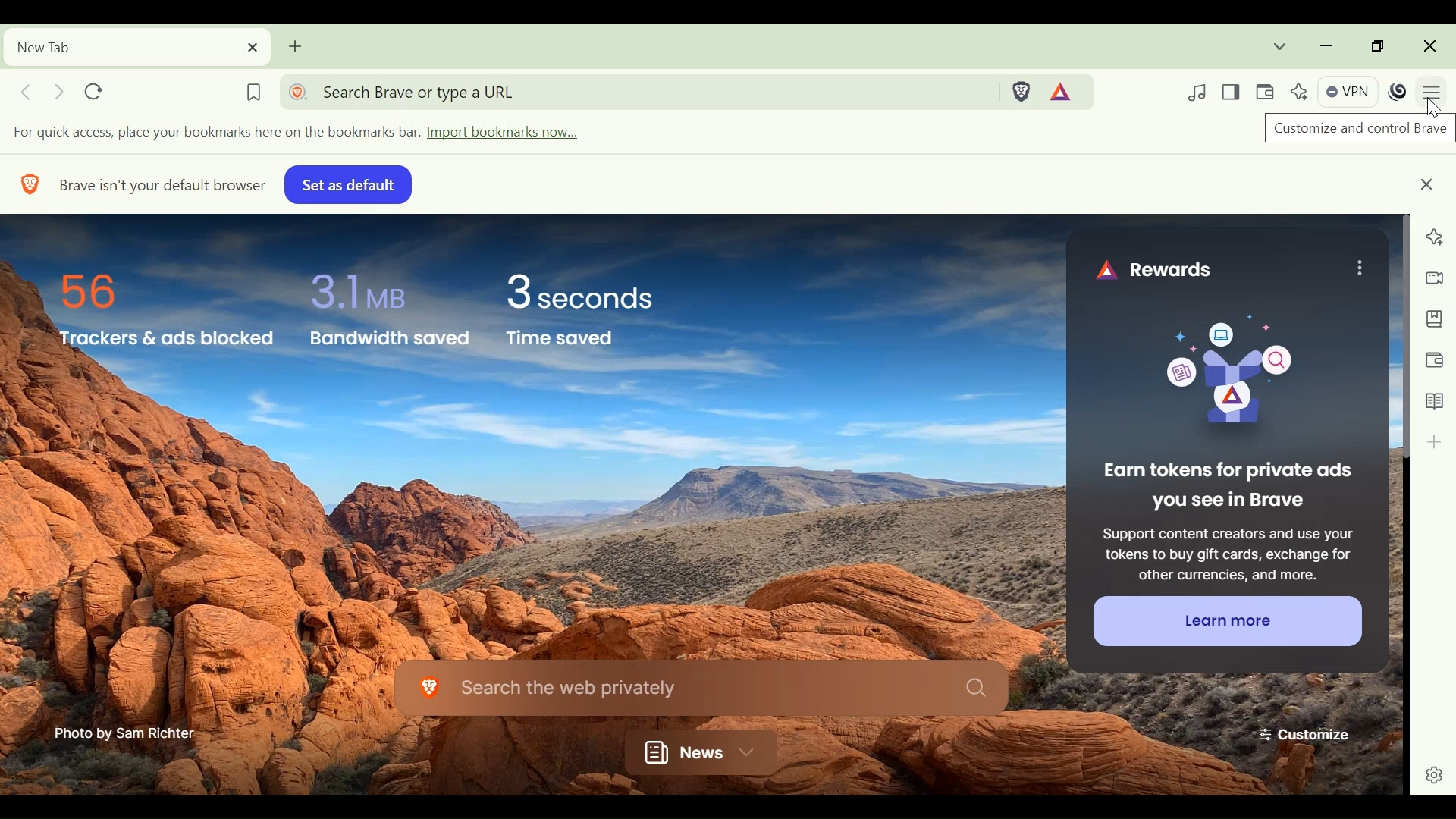 This screenshot has width=1456, height=819. What do you see at coordinates (581, 341) in the screenshot?
I see `Time saved` at bounding box center [581, 341].